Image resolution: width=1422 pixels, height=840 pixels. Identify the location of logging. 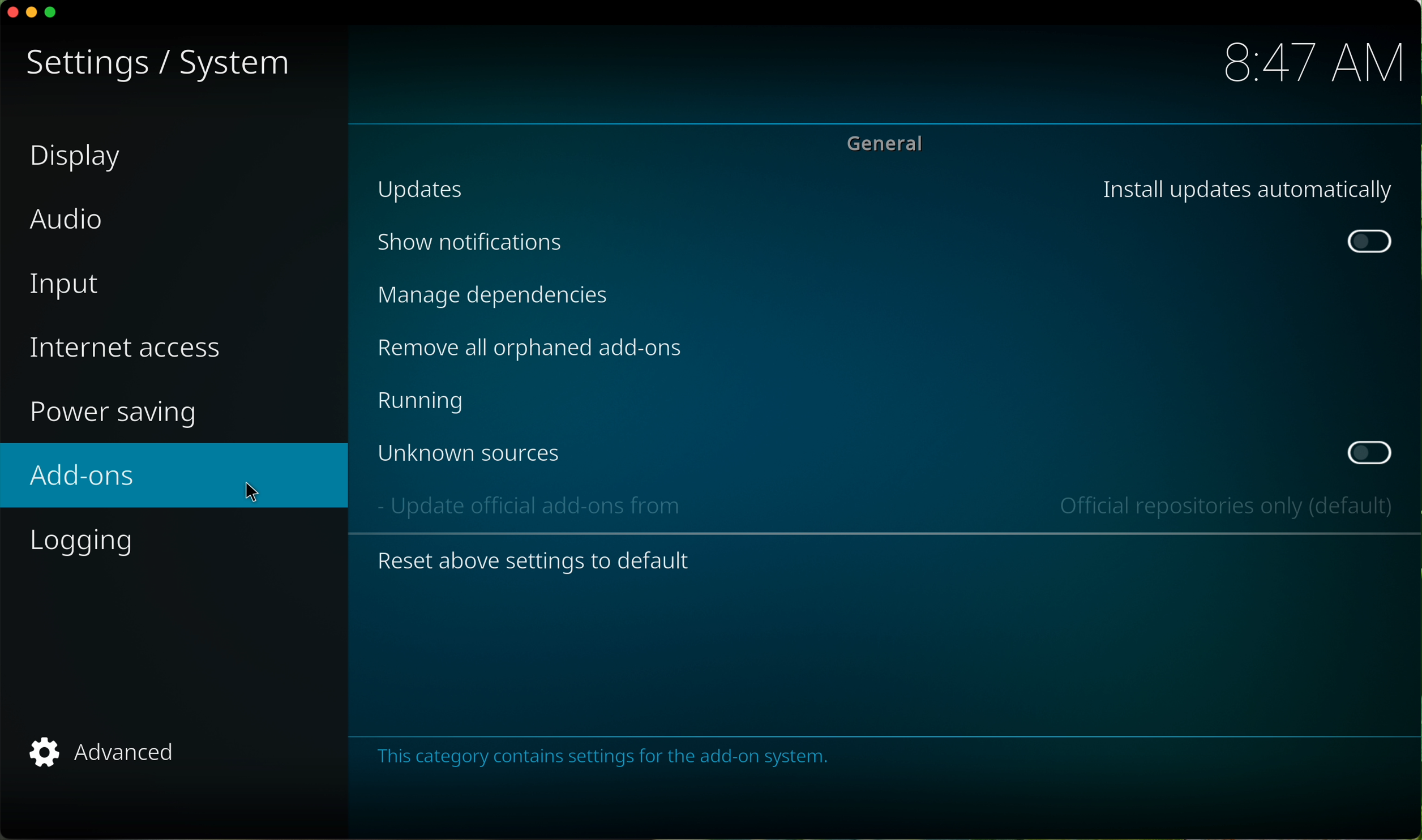
(92, 541).